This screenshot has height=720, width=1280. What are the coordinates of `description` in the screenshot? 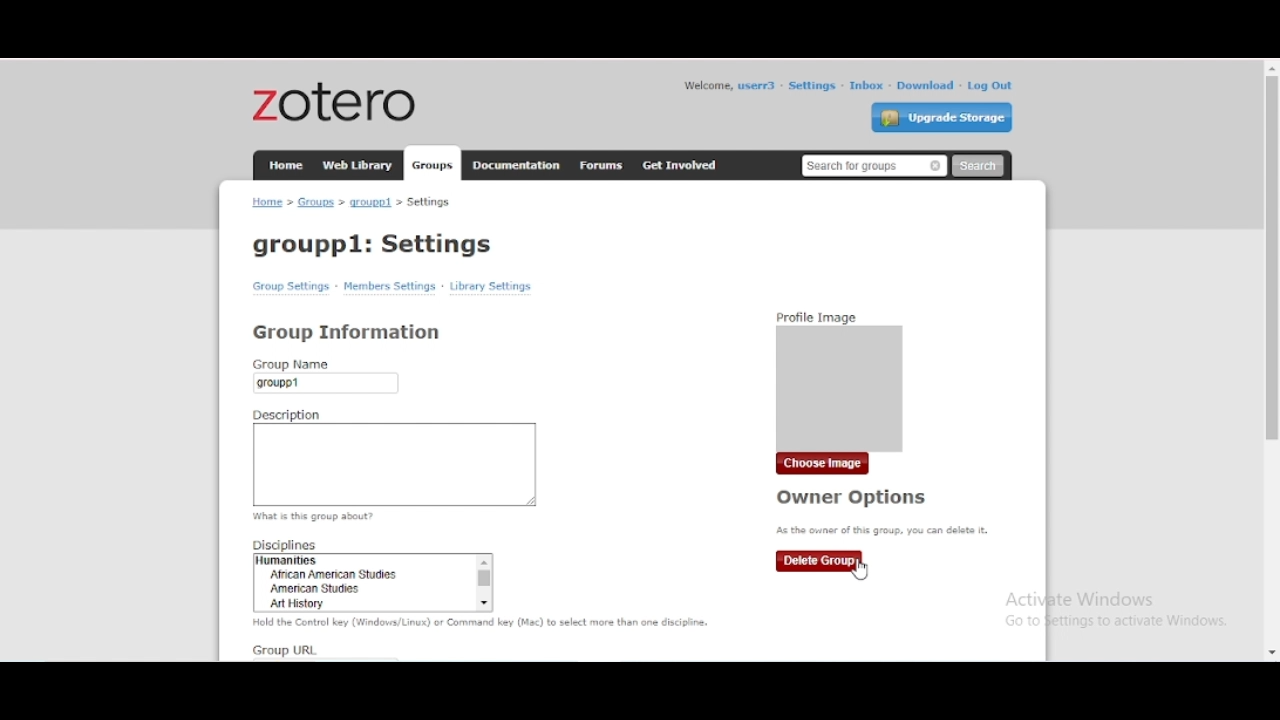 It's located at (395, 458).